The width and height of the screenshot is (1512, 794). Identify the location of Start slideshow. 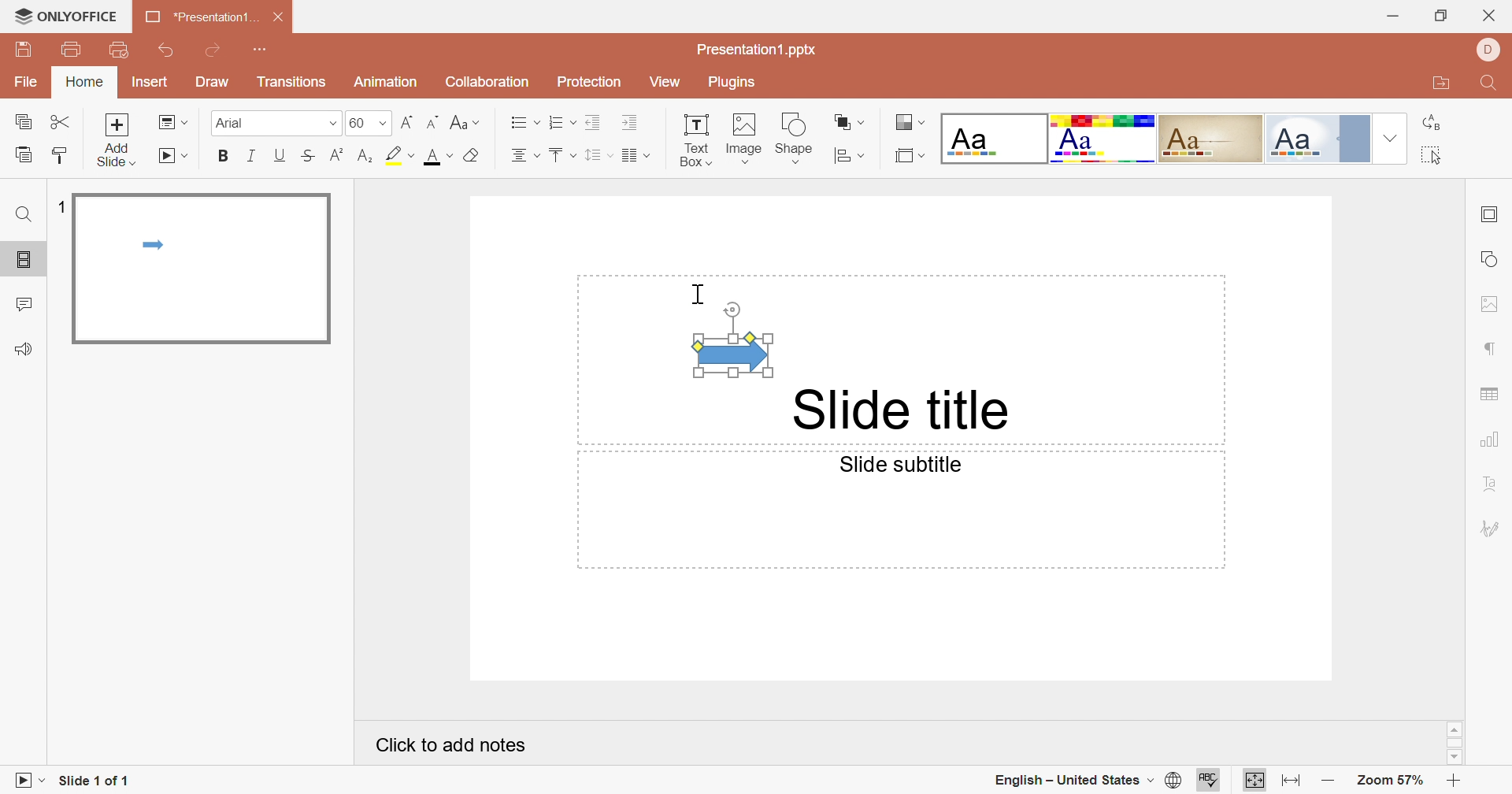
(173, 156).